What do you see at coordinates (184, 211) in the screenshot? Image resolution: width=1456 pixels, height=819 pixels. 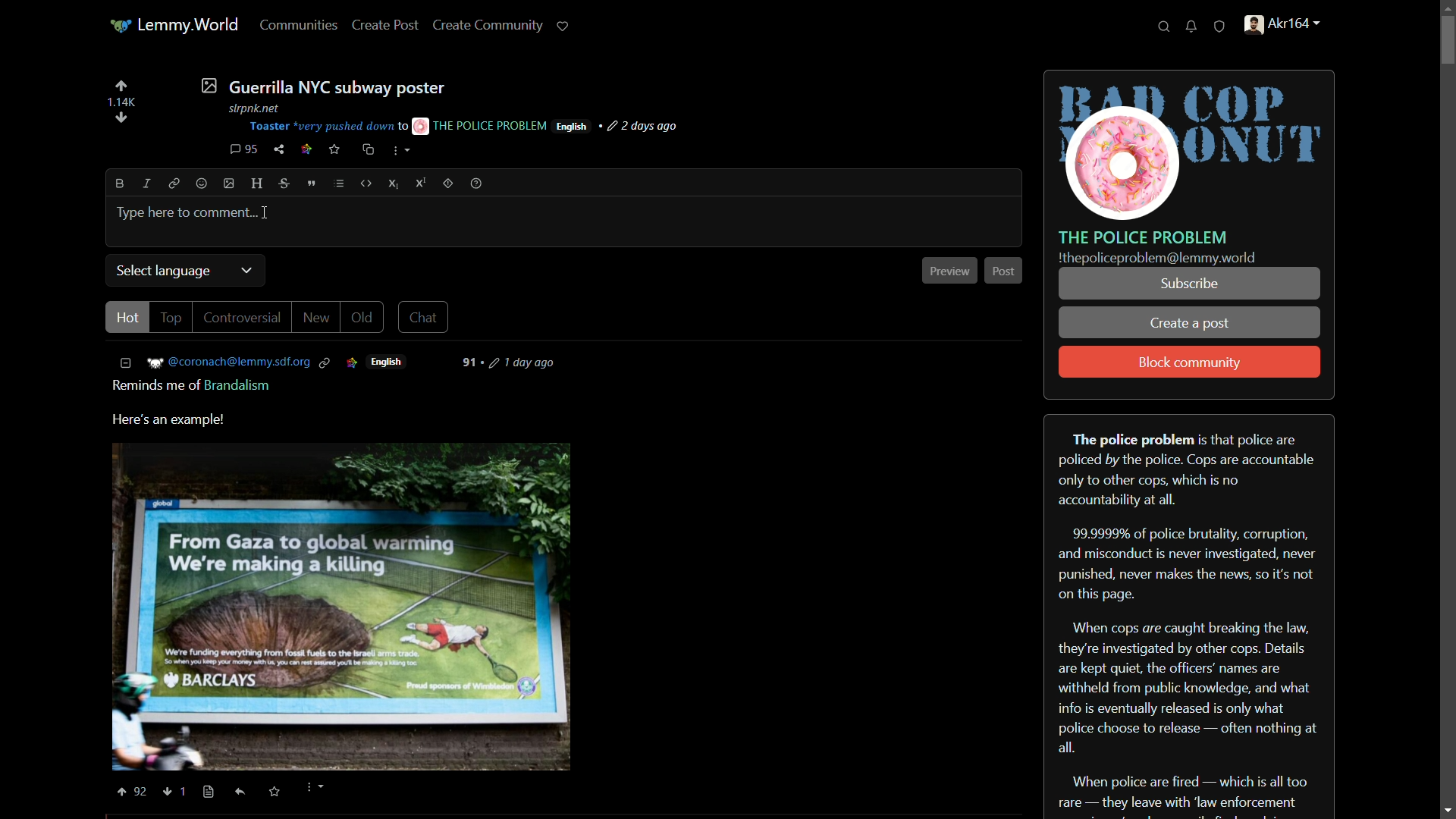 I see `type here to comment` at bounding box center [184, 211].